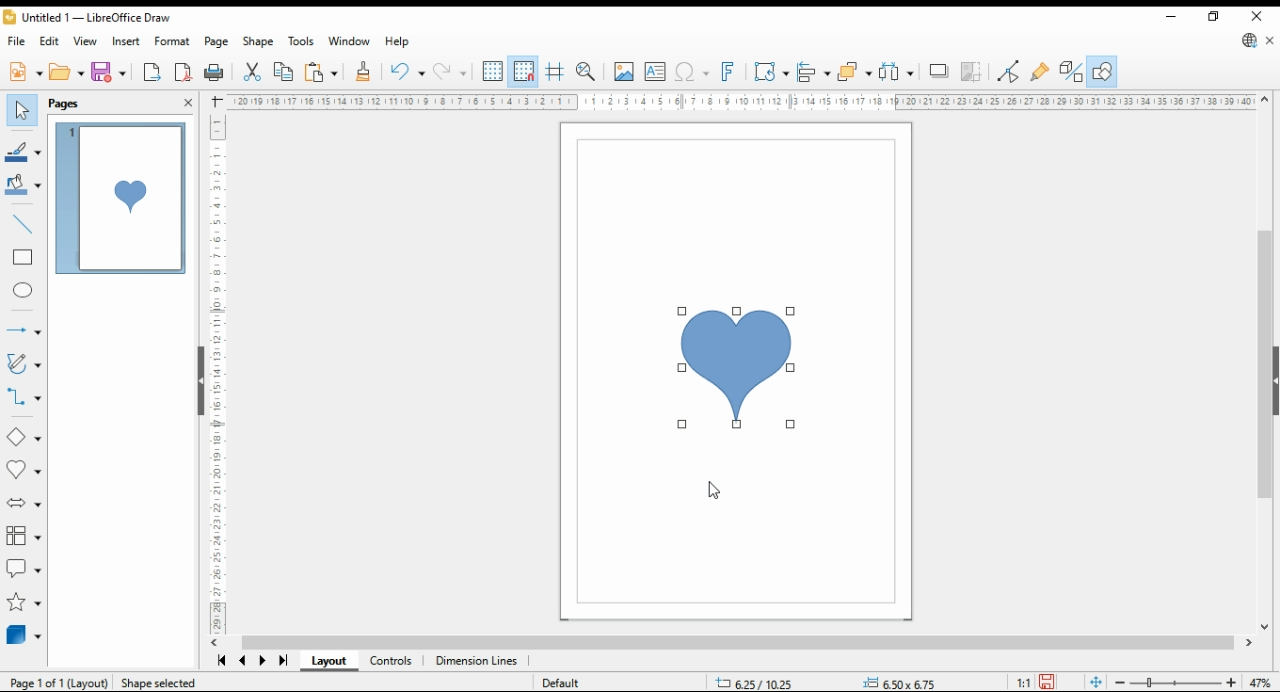 The height and width of the screenshot is (692, 1280). What do you see at coordinates (524, 70) in the screenshot?
I see `snap to grid` at bounding box center [524, 70].